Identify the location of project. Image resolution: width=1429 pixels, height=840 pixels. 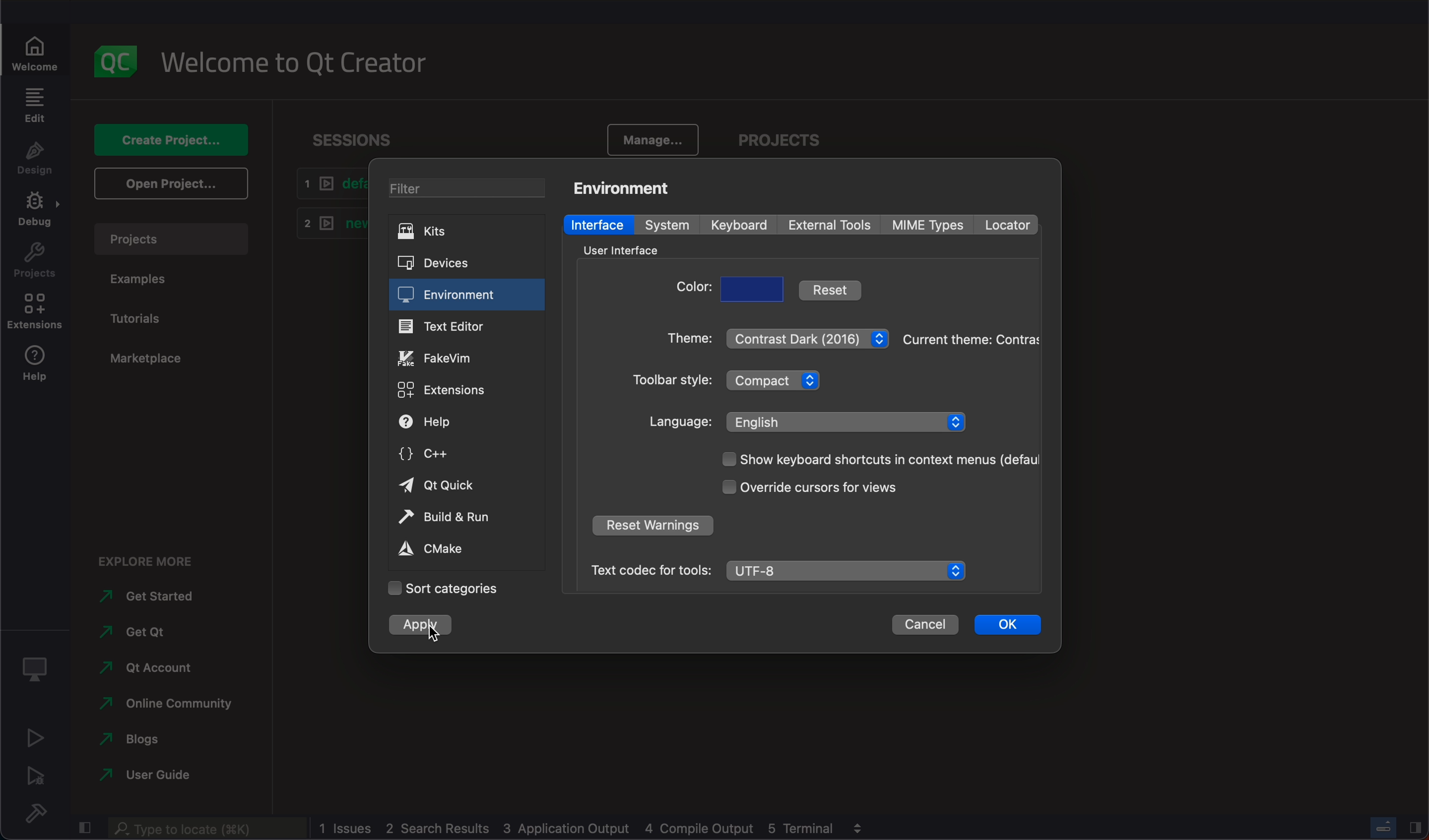
(777, 141).